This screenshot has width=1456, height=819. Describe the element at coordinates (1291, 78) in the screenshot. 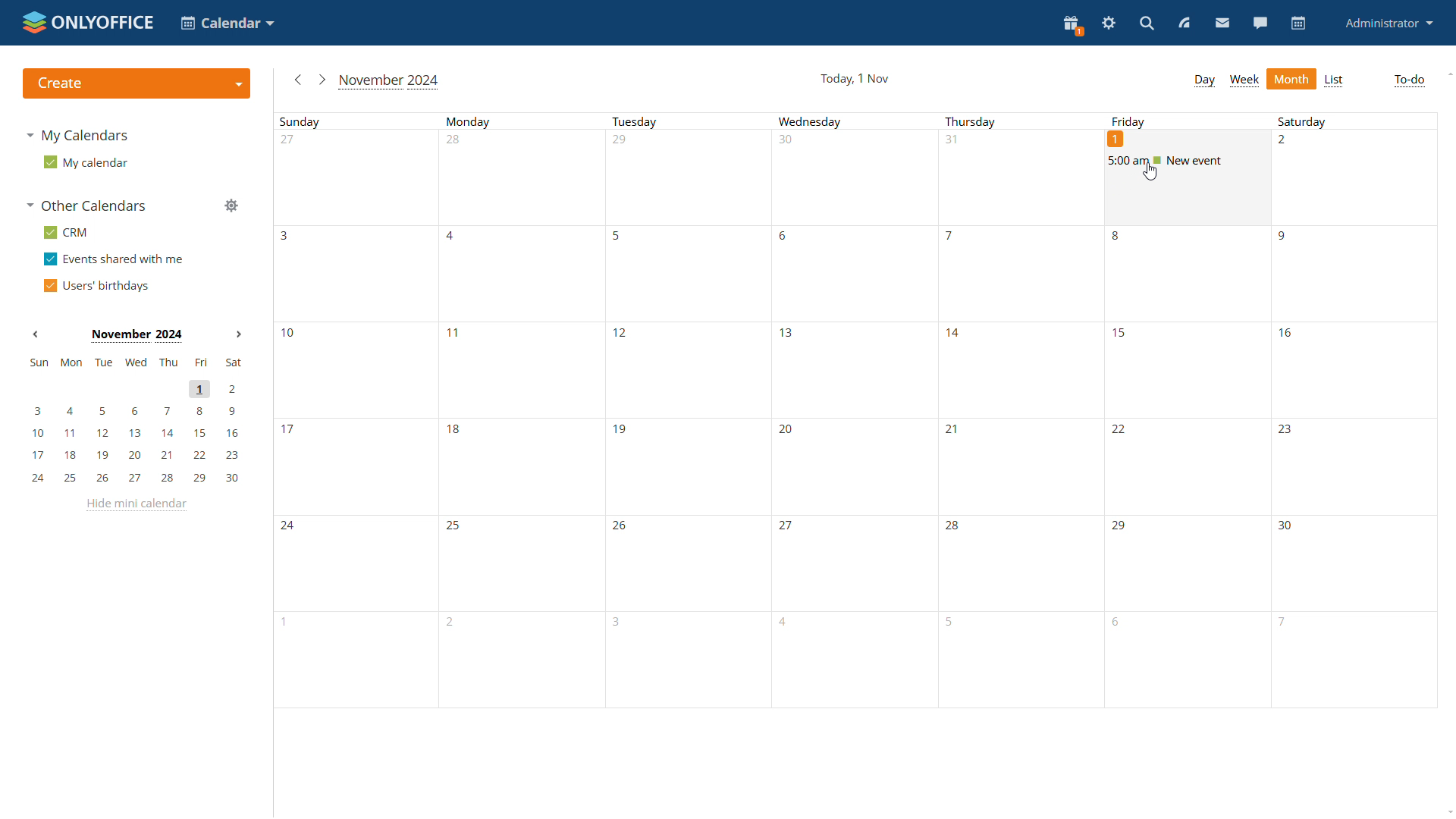

I see `month view` at that location.